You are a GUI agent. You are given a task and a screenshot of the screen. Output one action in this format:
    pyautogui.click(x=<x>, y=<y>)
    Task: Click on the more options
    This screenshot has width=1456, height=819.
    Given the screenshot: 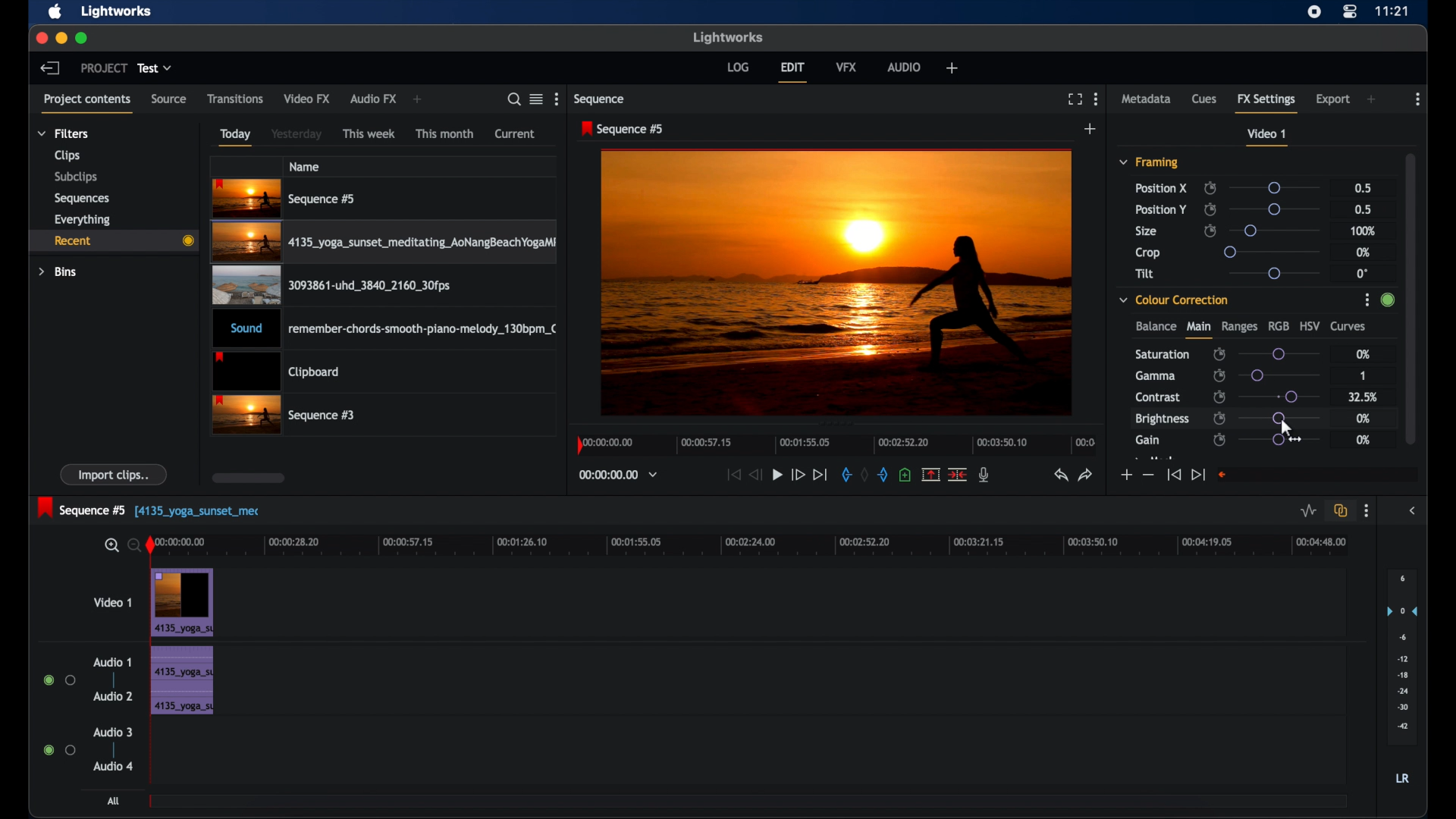 What is the action you would take?
    pyautogui.click(x=559, y=99)
    